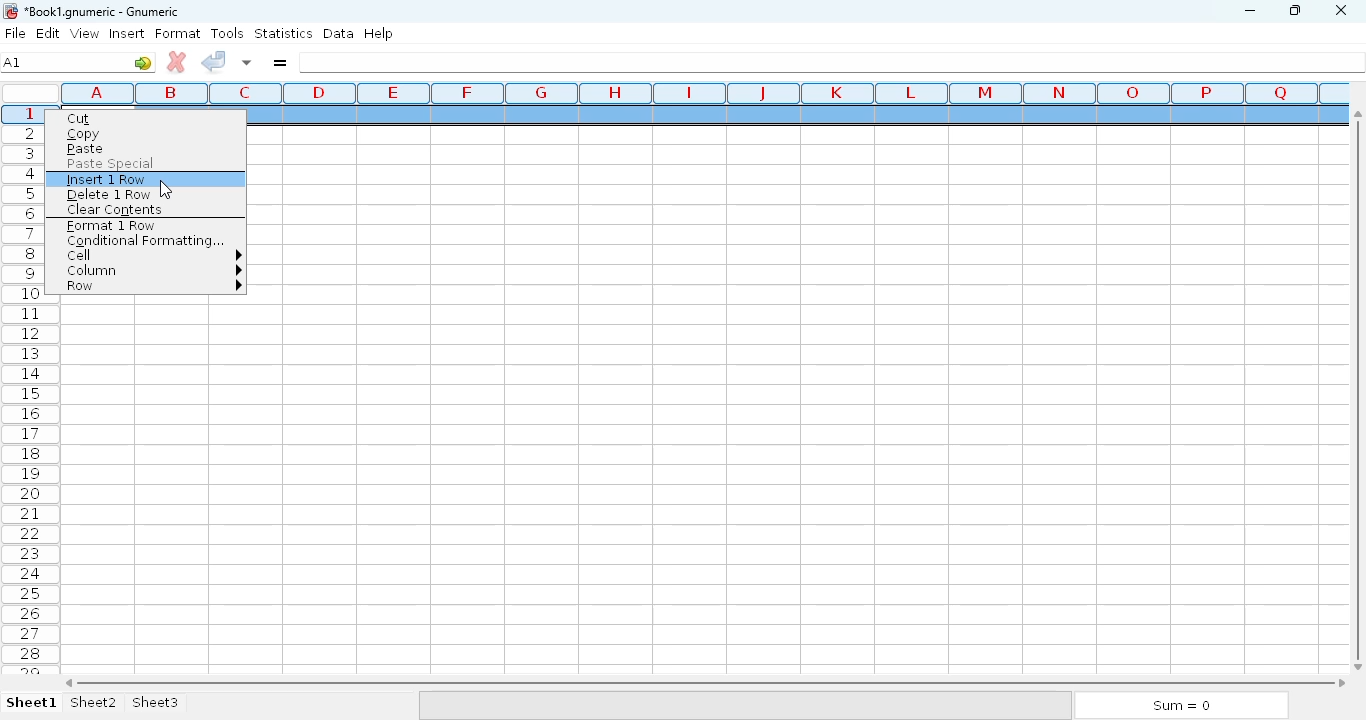 Image resolution: width=1366 pixels, height=720 pixels. I want to click on paste, so click(85, 149).